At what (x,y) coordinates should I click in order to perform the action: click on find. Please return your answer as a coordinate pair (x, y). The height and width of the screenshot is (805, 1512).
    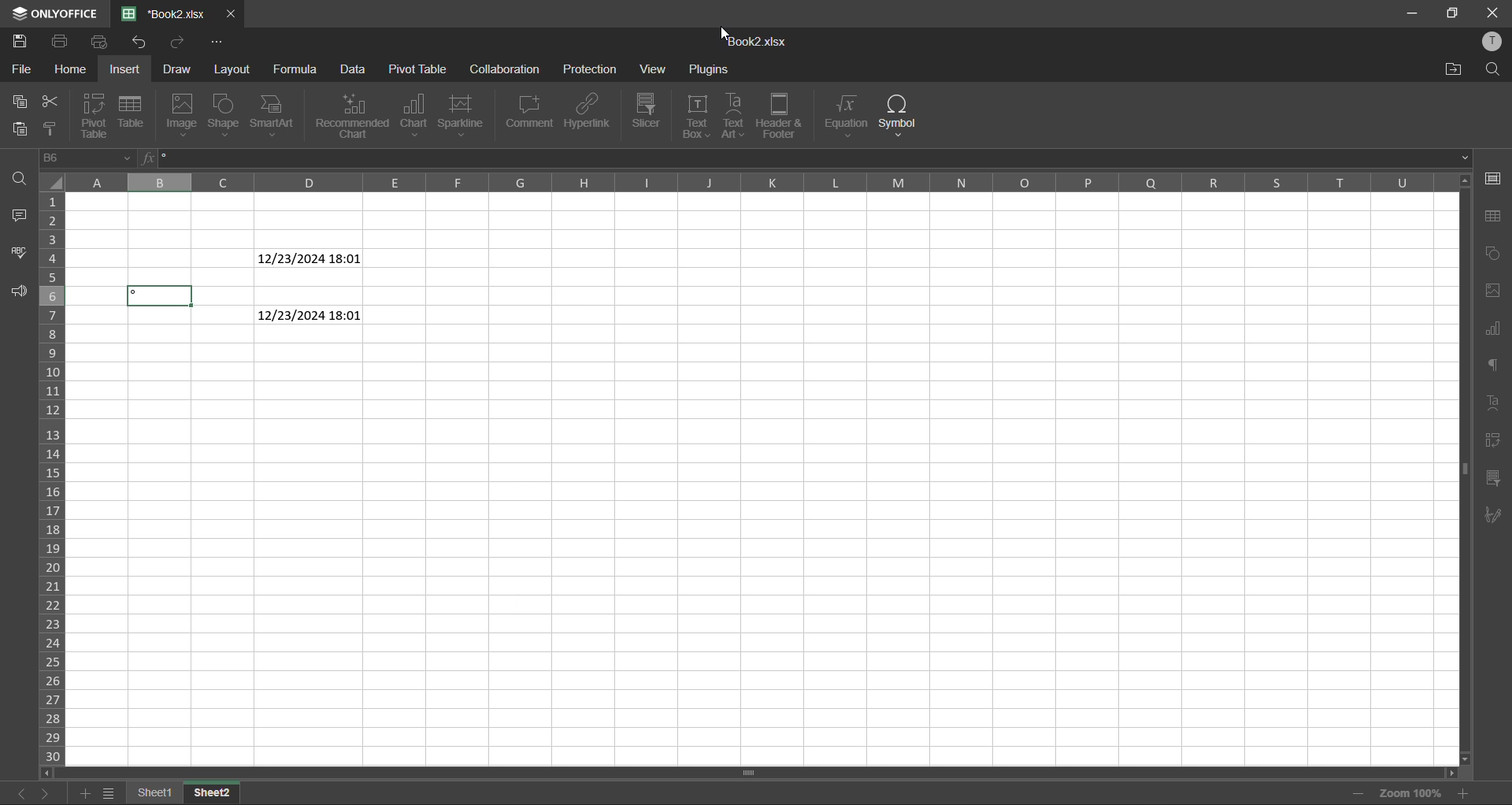
    Looking at the image, I should click on (1492, 69).